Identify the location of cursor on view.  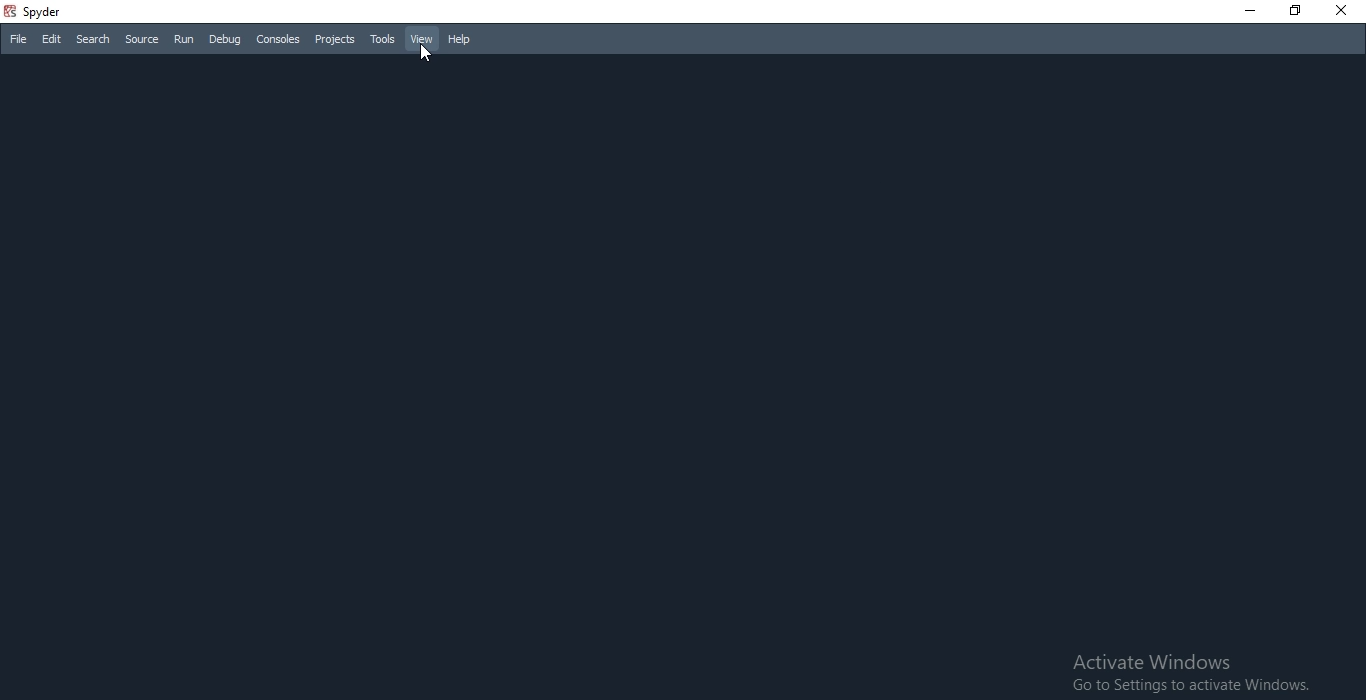
(428, 55).